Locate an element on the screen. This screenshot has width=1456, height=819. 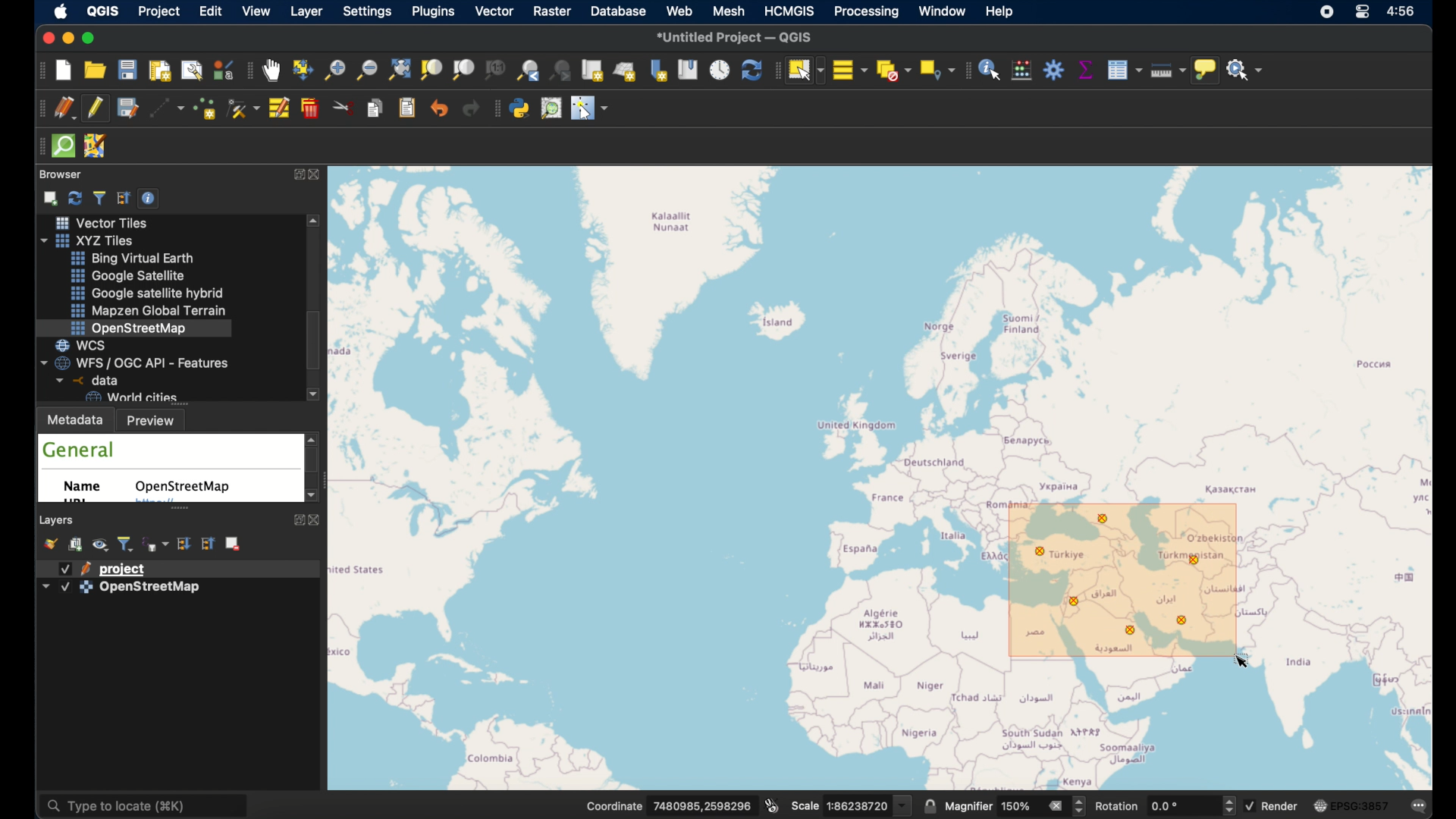
name is located at coordinates (87, 489).